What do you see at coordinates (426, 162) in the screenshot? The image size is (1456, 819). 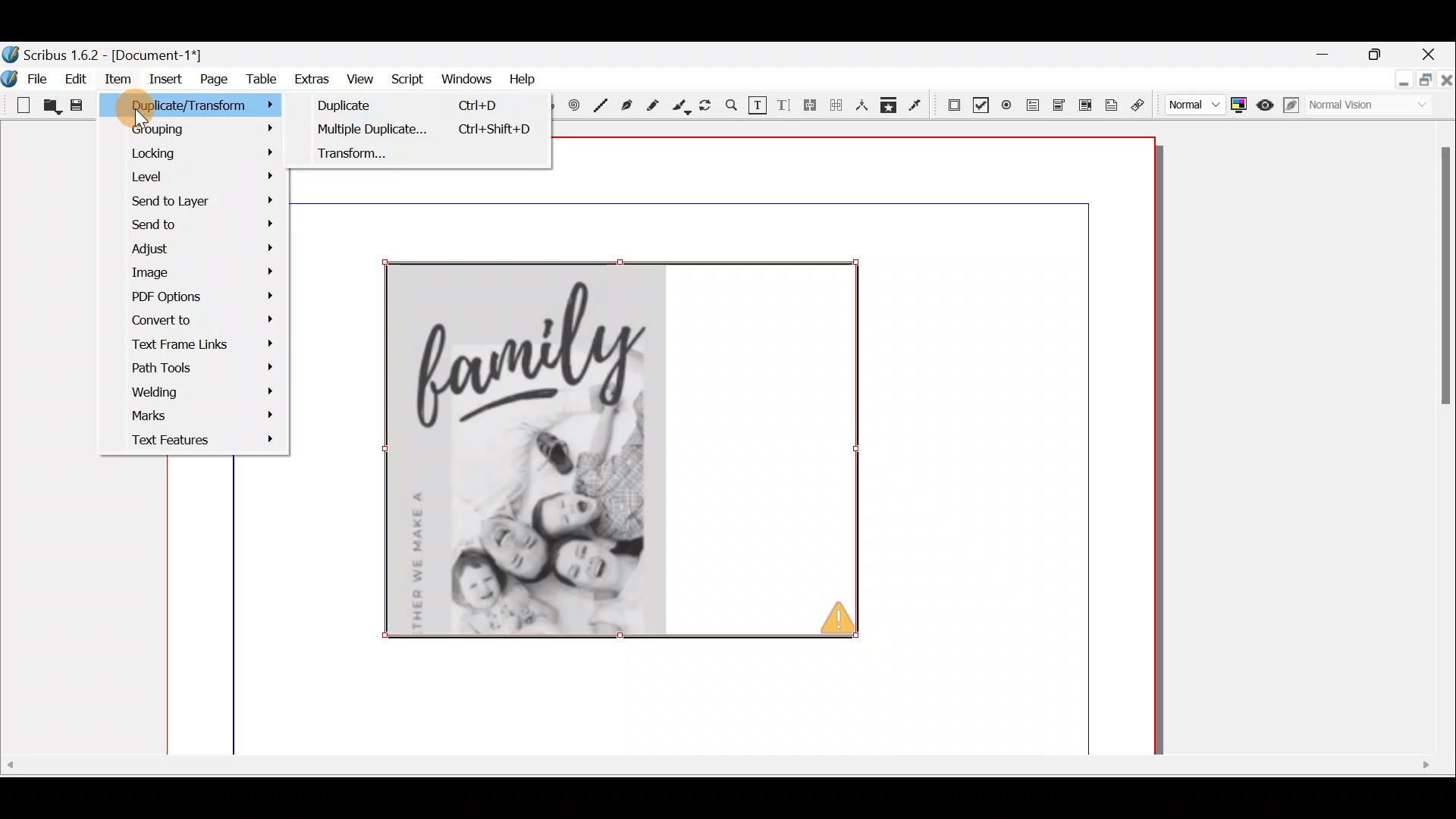 I see `Transform` at bounding box center [426, 162].